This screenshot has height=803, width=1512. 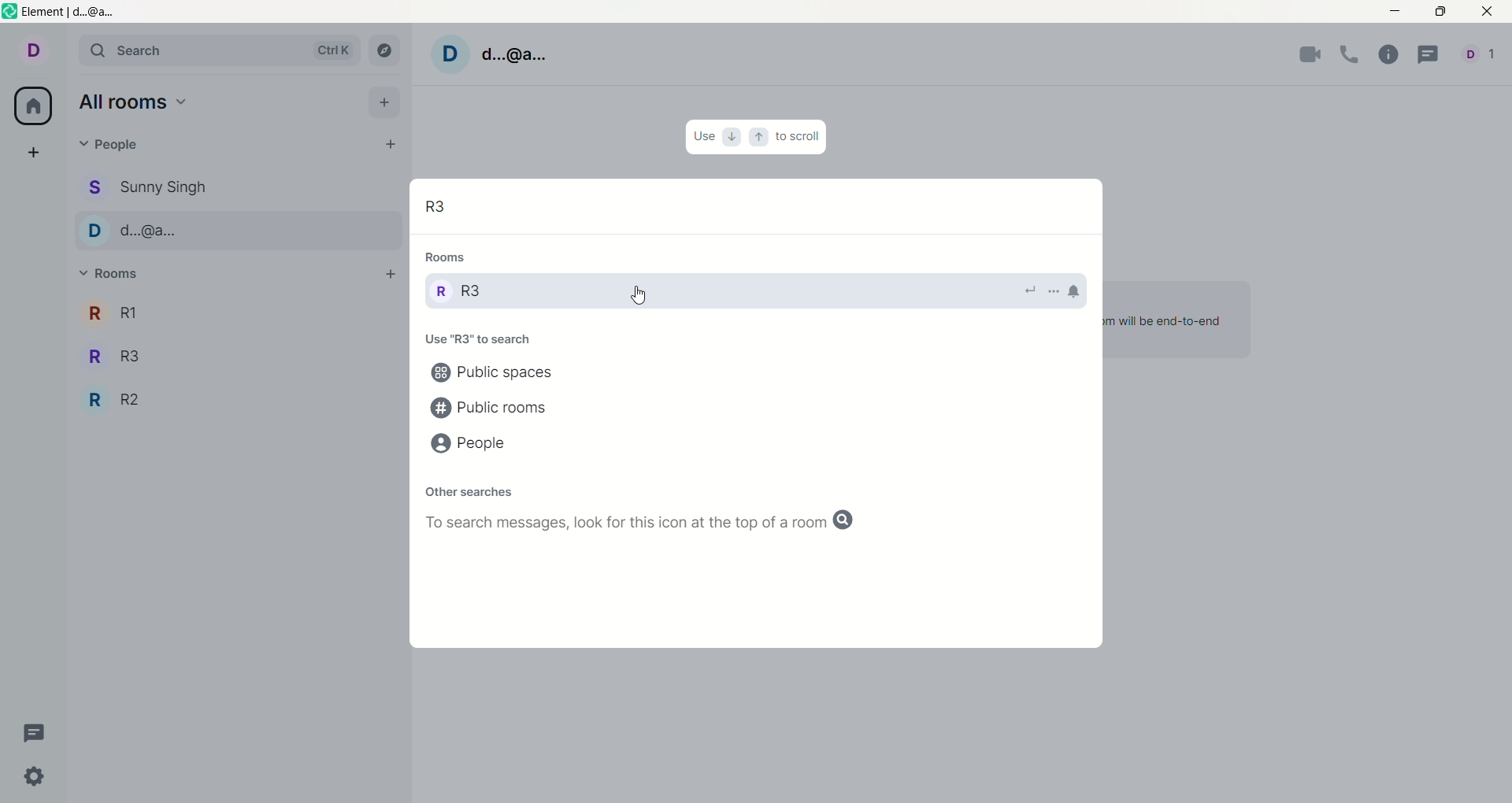 What do you see at coordinates (1388, 56) in the screenshot?
I see `room info` at bounding box center [1388, 56].